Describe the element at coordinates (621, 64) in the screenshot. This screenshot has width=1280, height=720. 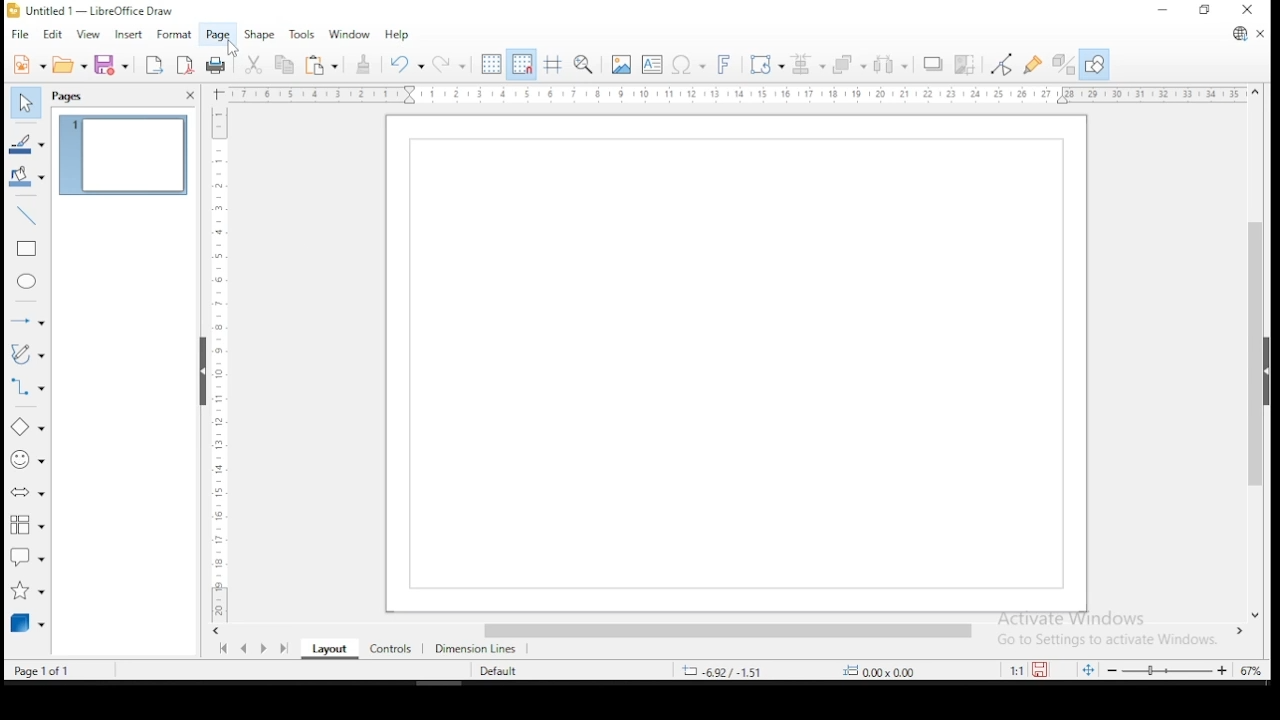
I see `insert image` at that location.